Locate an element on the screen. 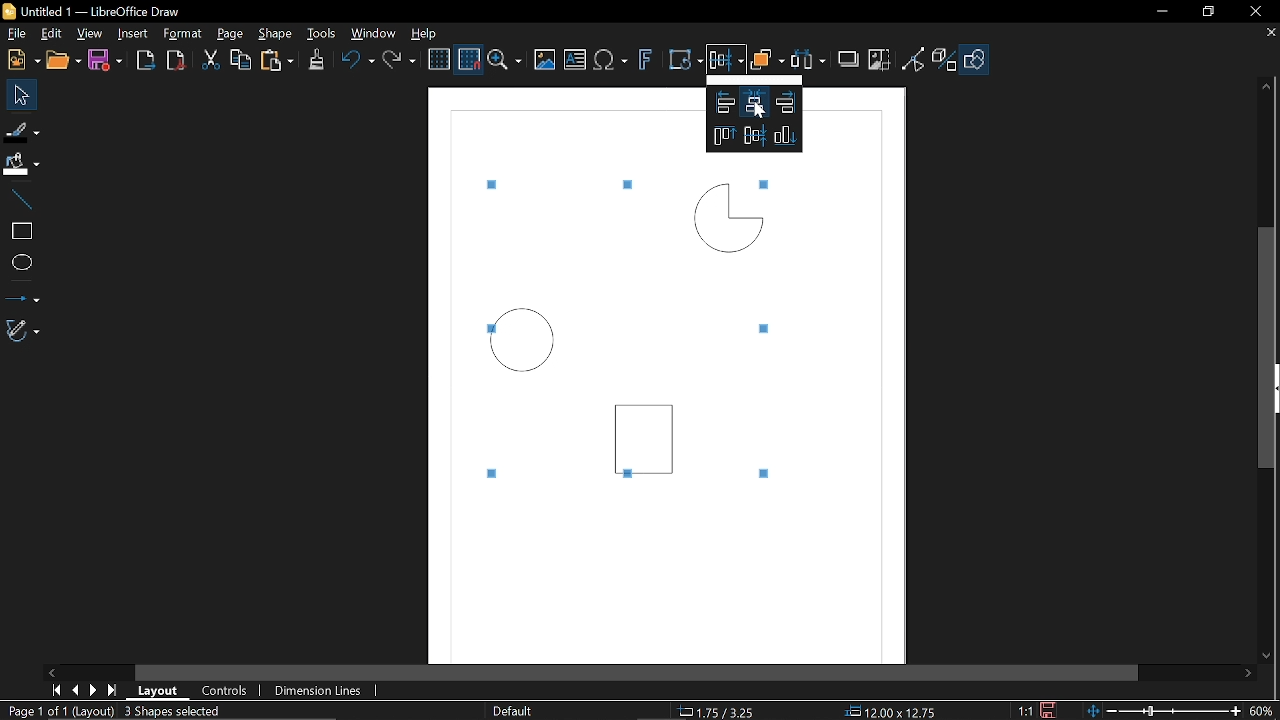 This screenshot has height=720, width=1280. Save is located at coordinates (1045, 710).